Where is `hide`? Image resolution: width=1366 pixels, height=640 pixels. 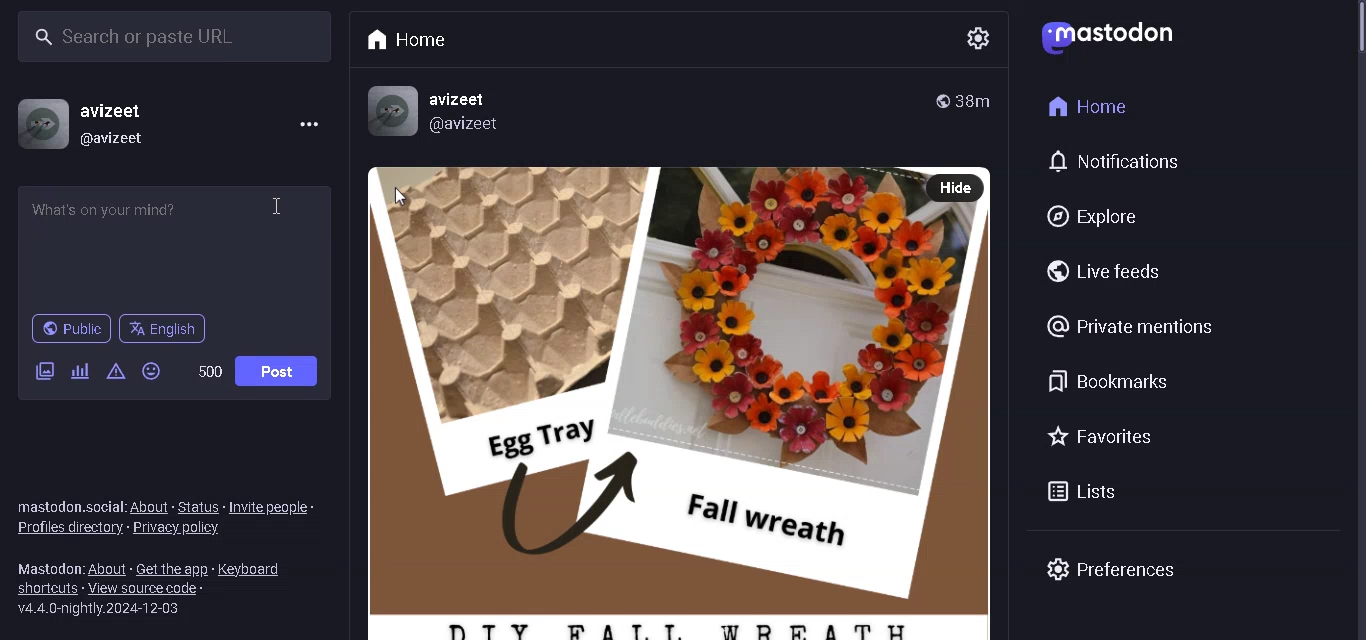 hide is located at coordinates (956, 188).